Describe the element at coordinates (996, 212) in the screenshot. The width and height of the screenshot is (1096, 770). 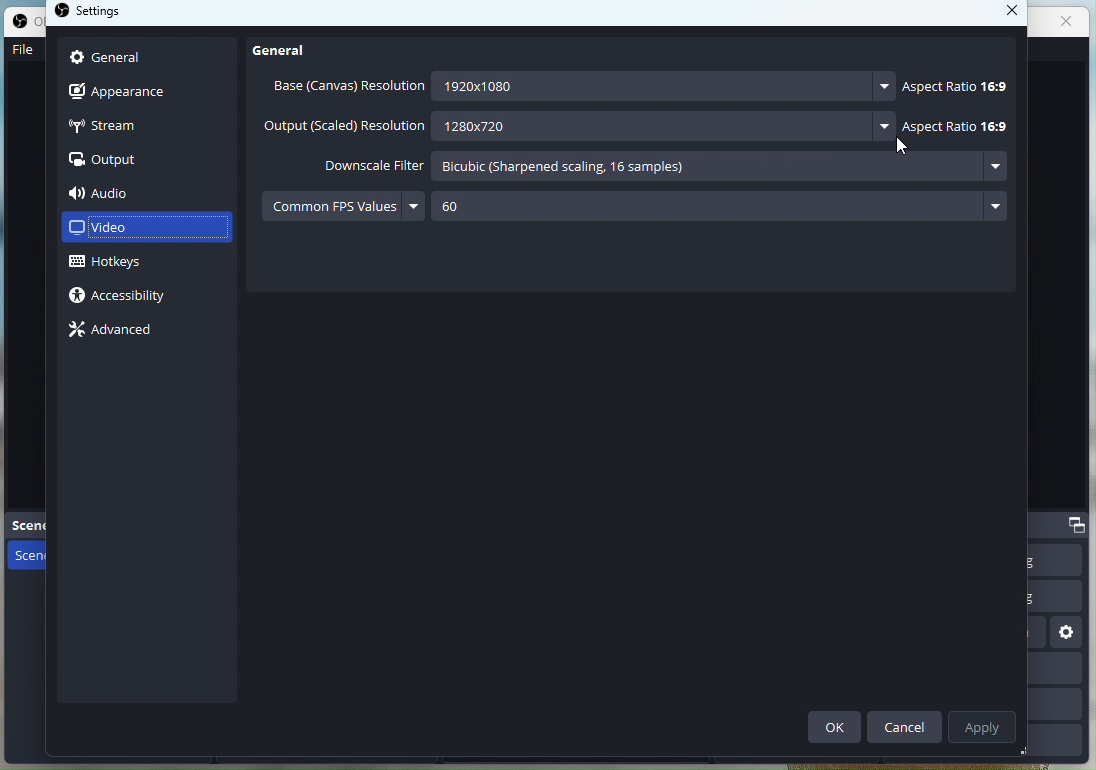
I see `more options` at that location.